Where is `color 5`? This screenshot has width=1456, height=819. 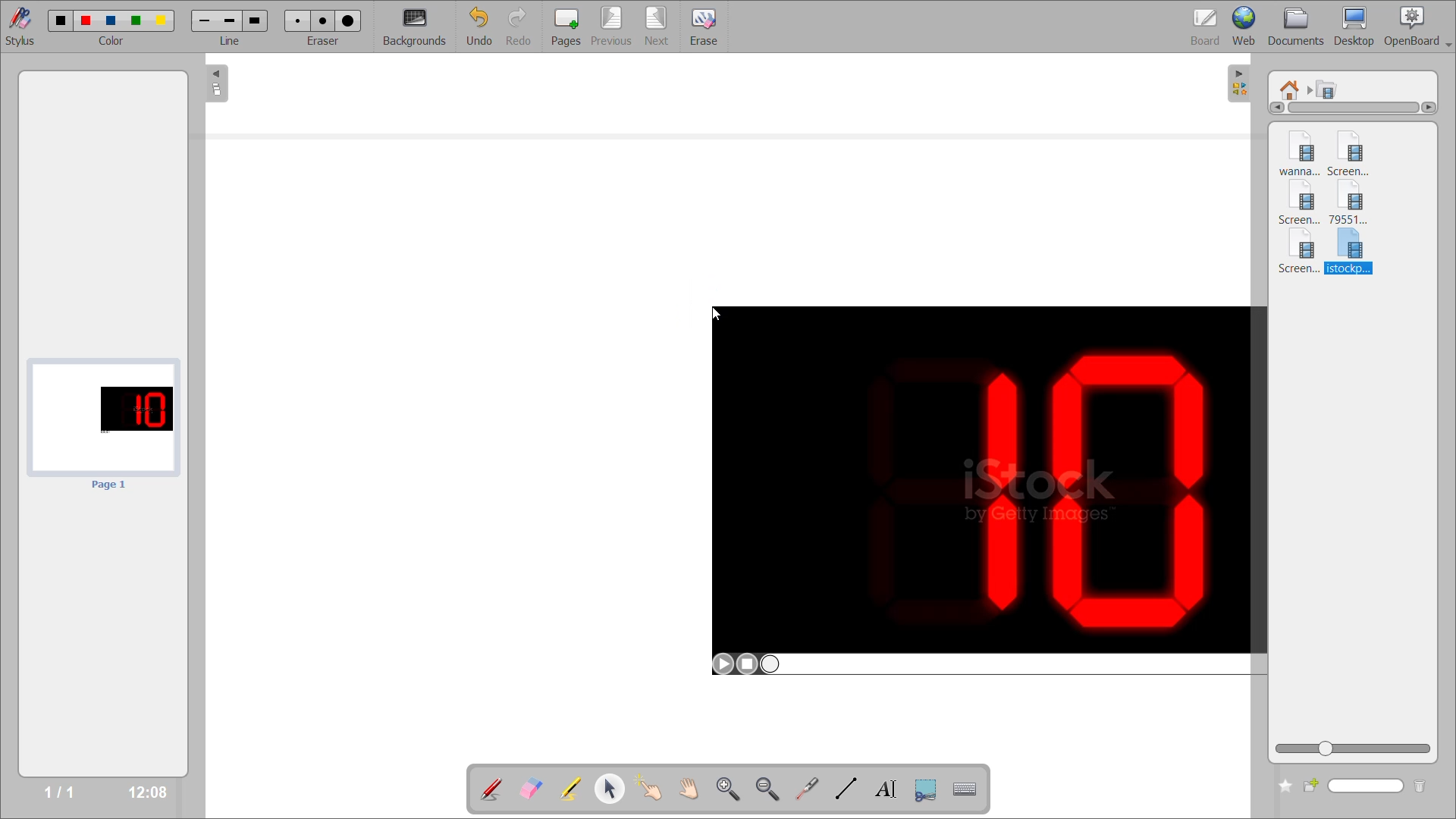 color 5 is located at coordinates (165, 20).